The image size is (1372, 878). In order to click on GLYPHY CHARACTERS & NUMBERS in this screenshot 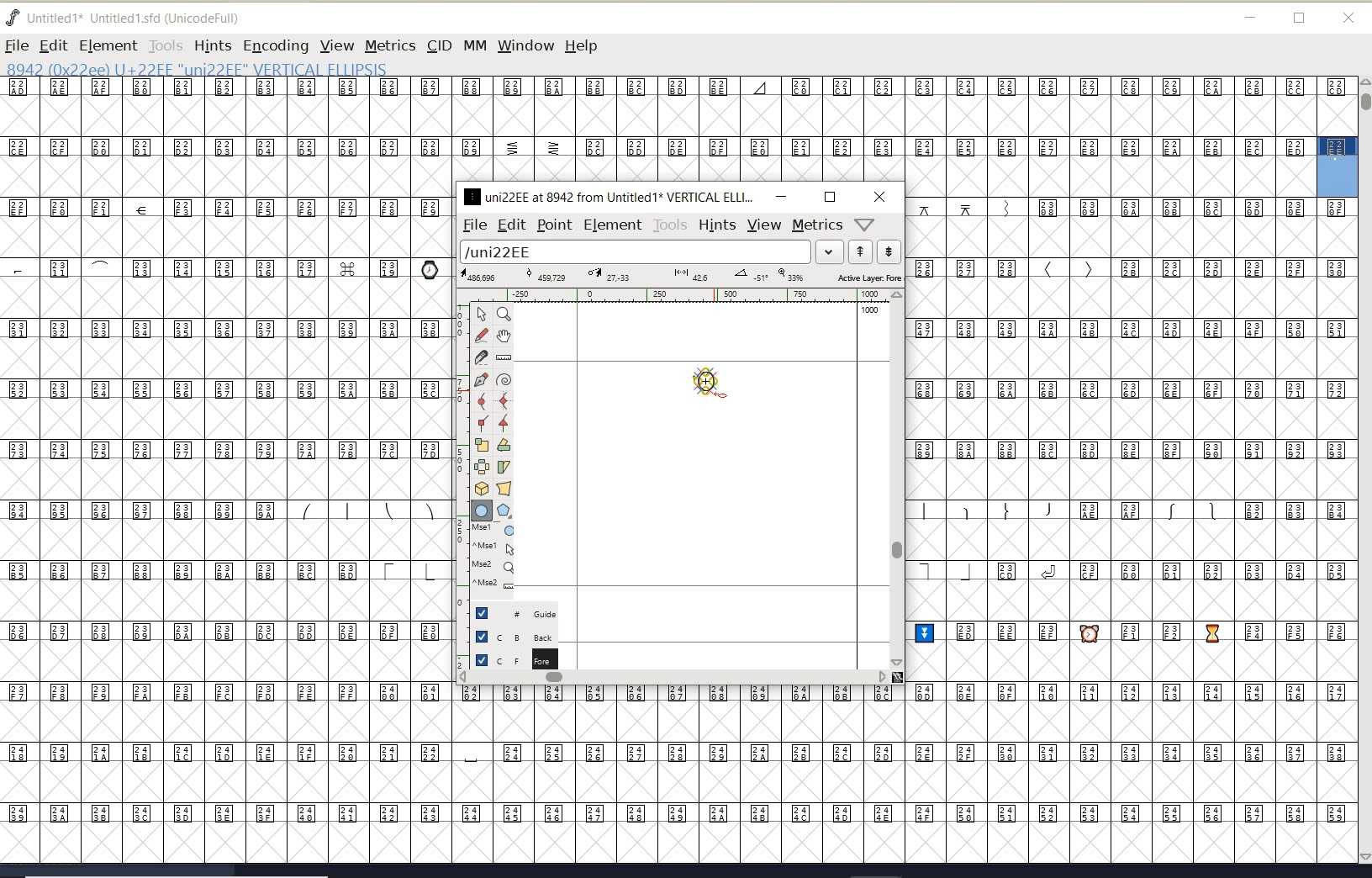, I will do `click(223, 431)`.